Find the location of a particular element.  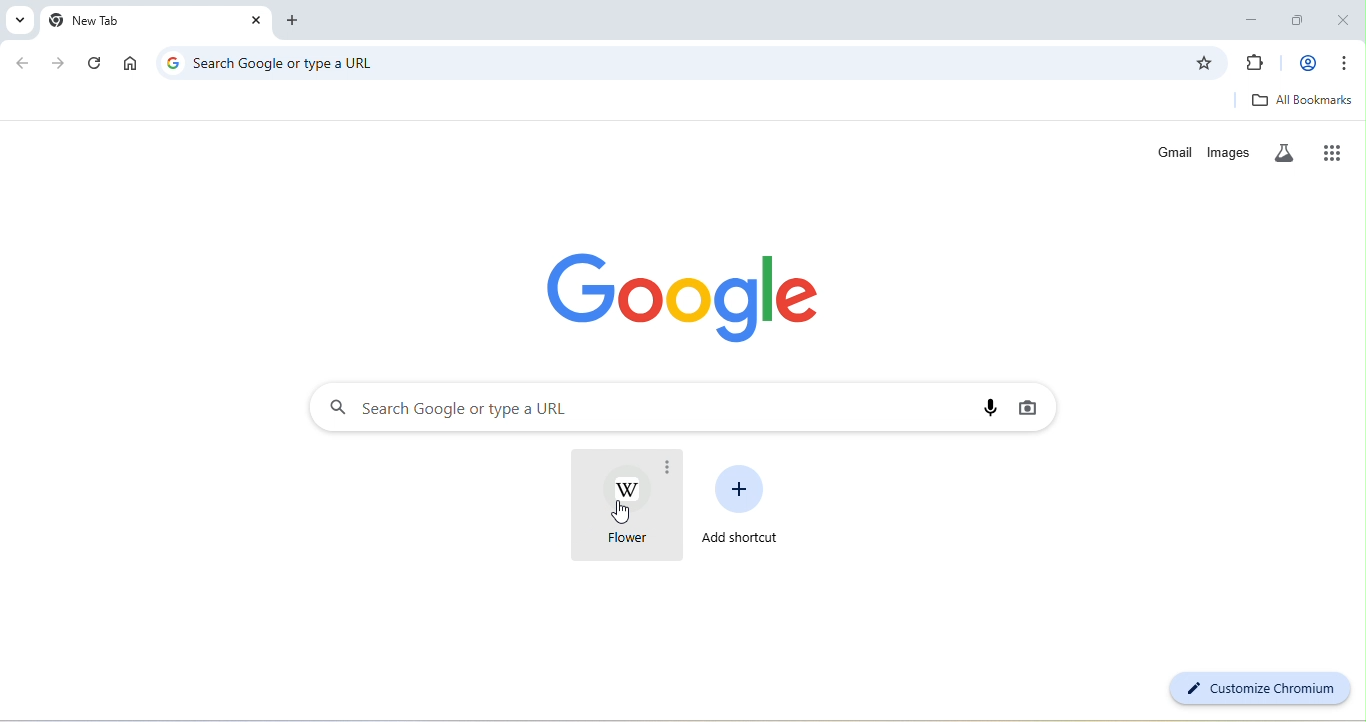

search by image is located at coordinates (1025, 407).